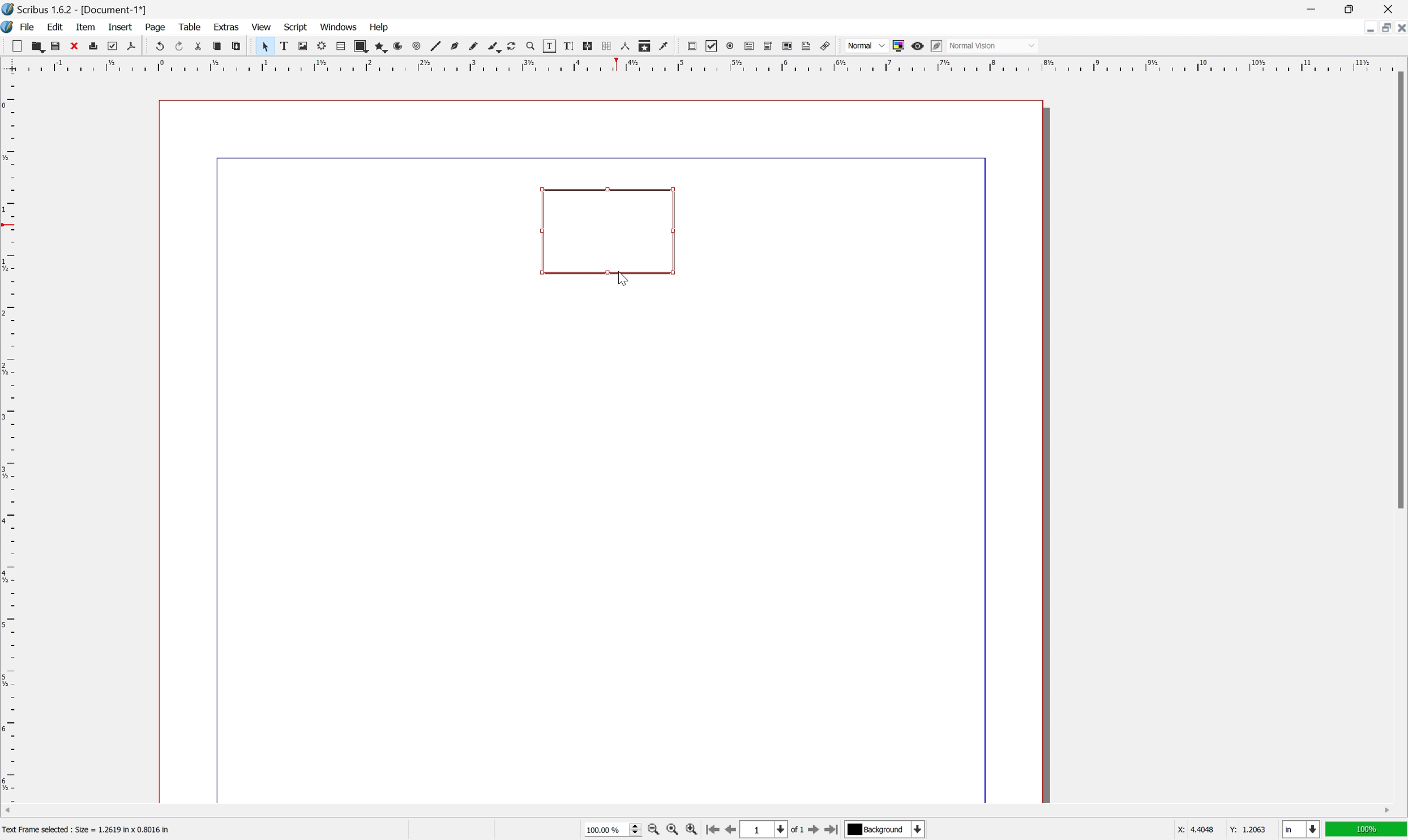 This screenshot has height=840, width=1408. What do you see at coordinates (712, 830) in the screenshot?
I see `go to first page` at bounding box center [712, 830].